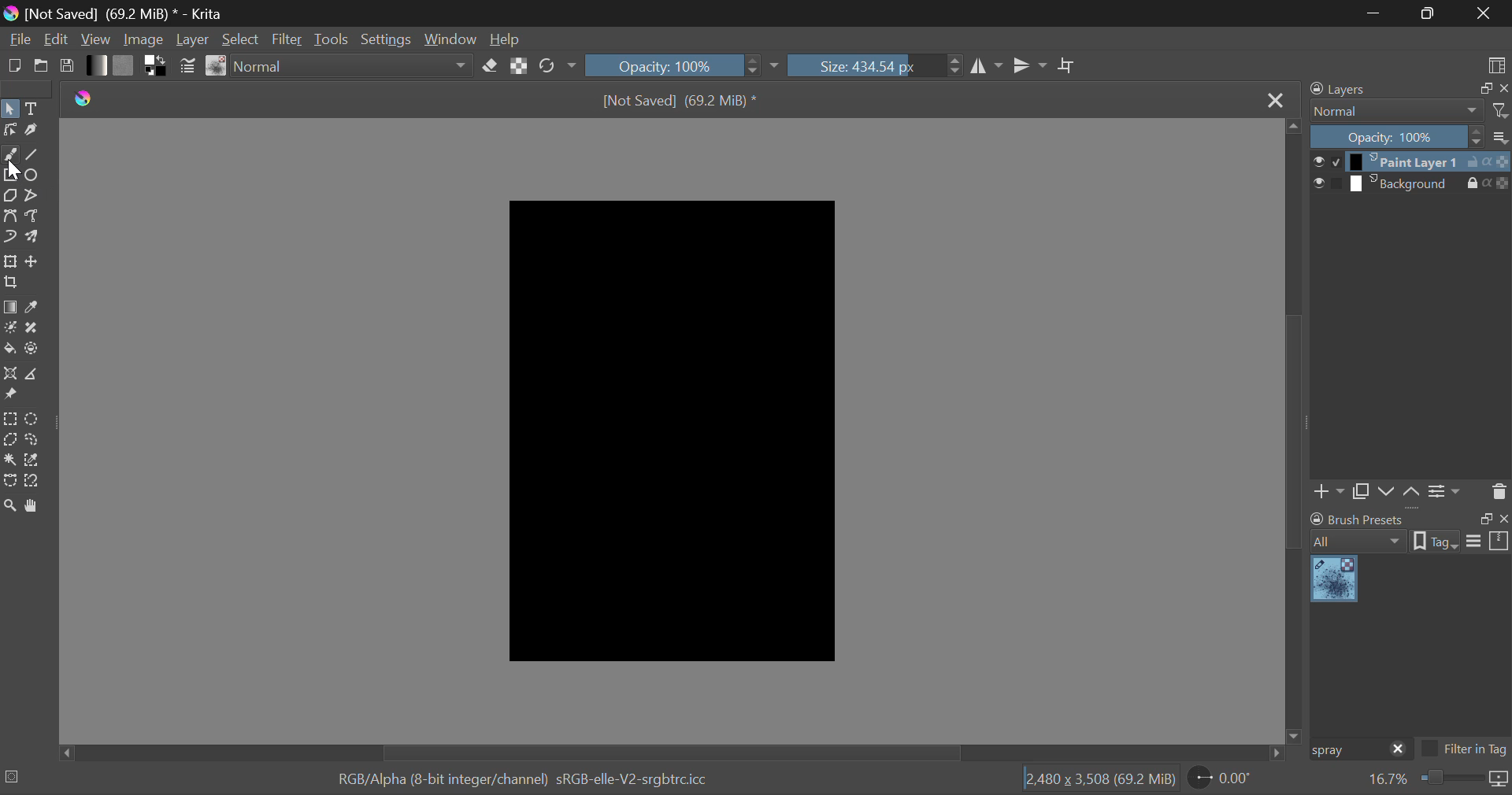 The width and height of the screenshot is (1512, 795). I want to click on Settings, so click(1447, 492).